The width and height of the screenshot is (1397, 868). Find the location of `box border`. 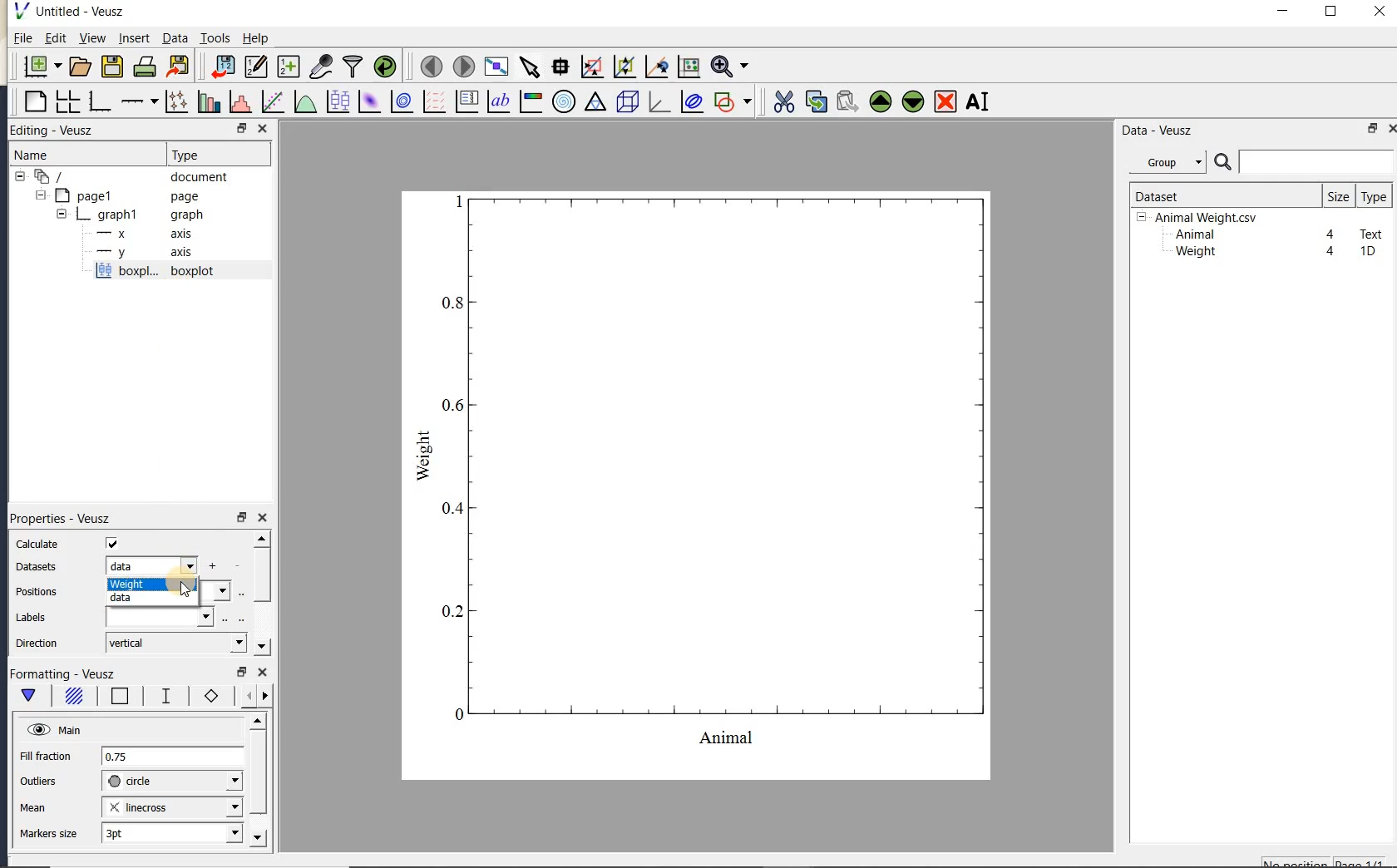

box border is located at coordinates (116, 698).